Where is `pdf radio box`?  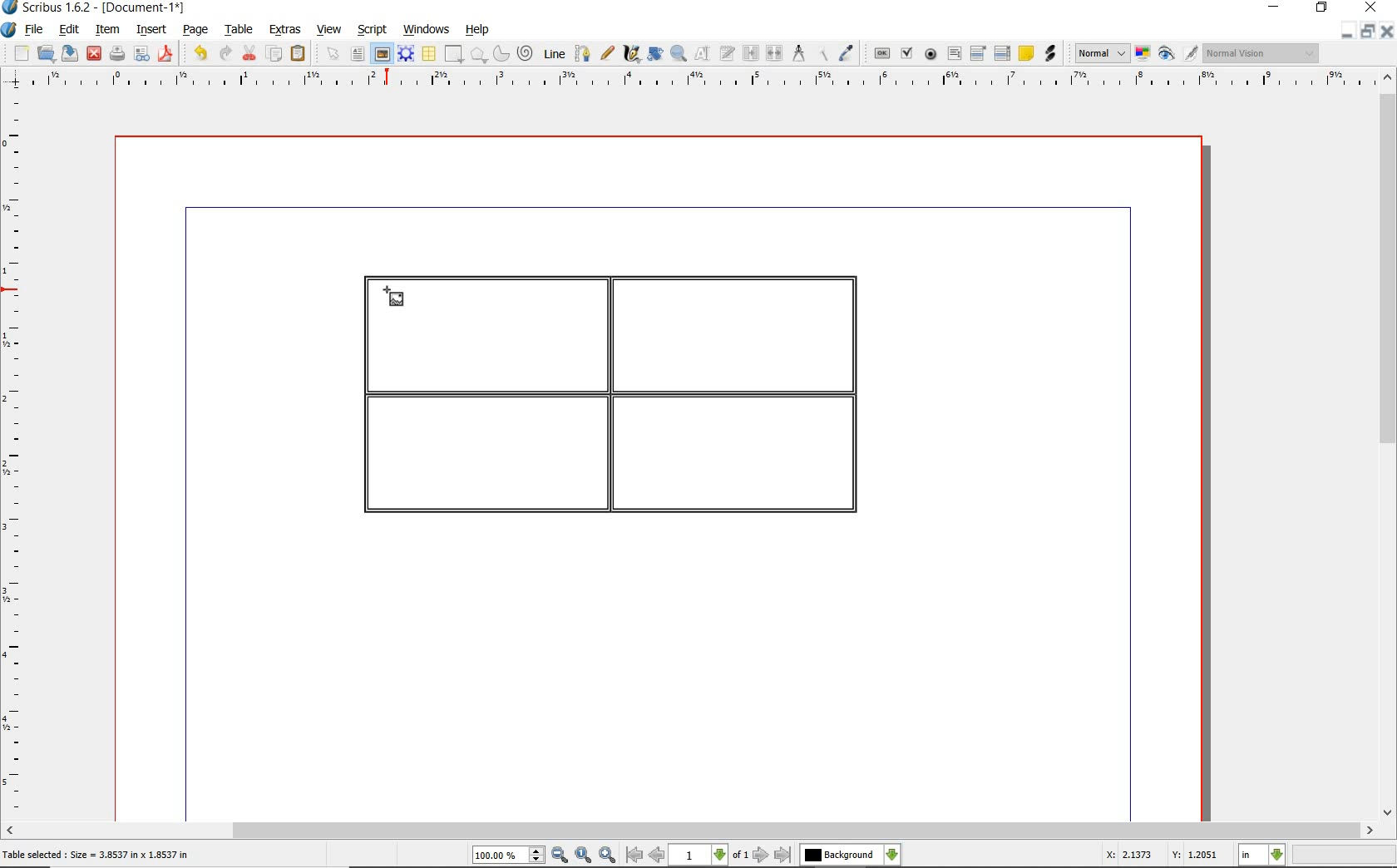 pdf radio box is located at coordinates (931, 55).